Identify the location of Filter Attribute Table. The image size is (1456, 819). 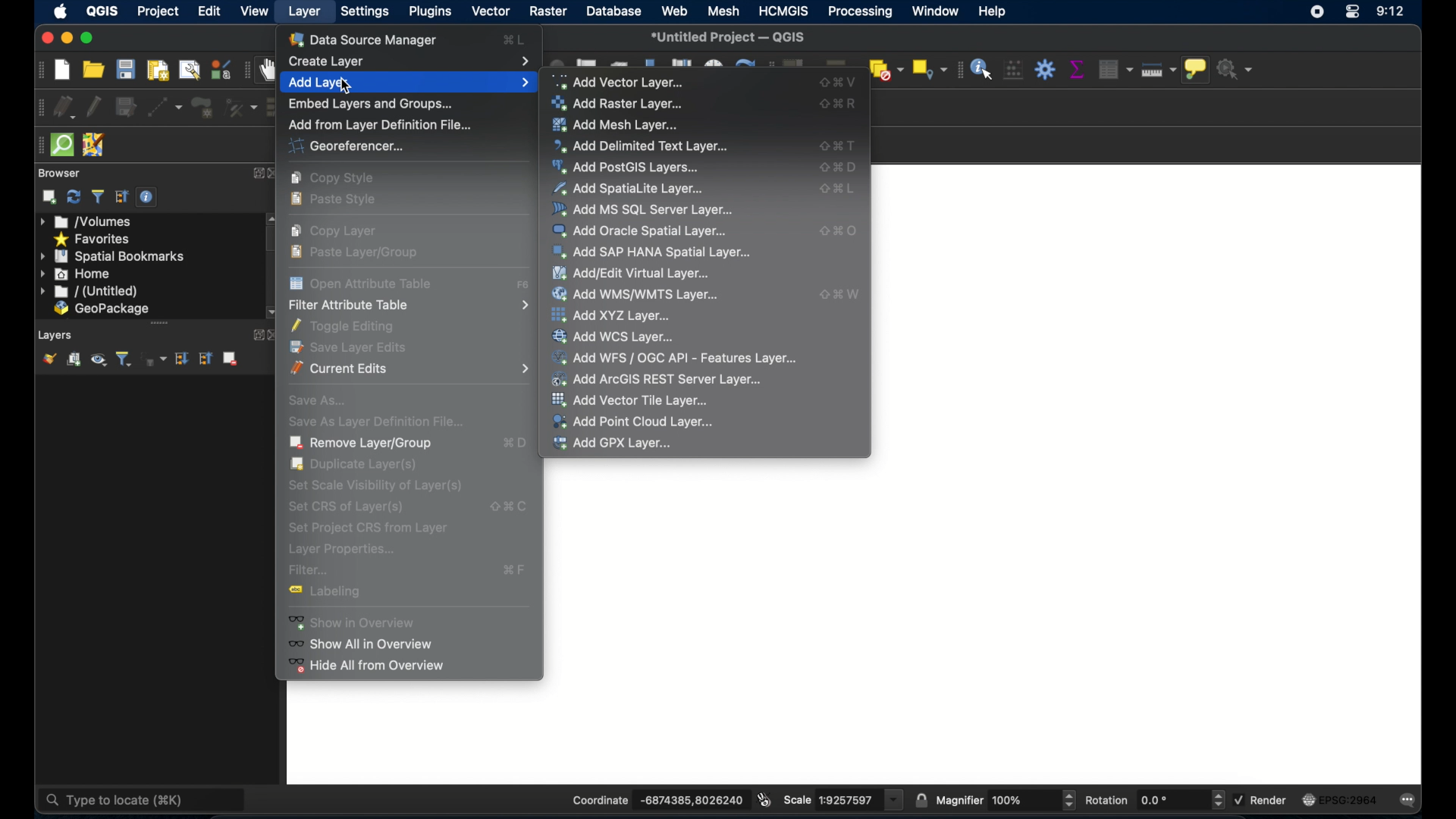
(409, 306).